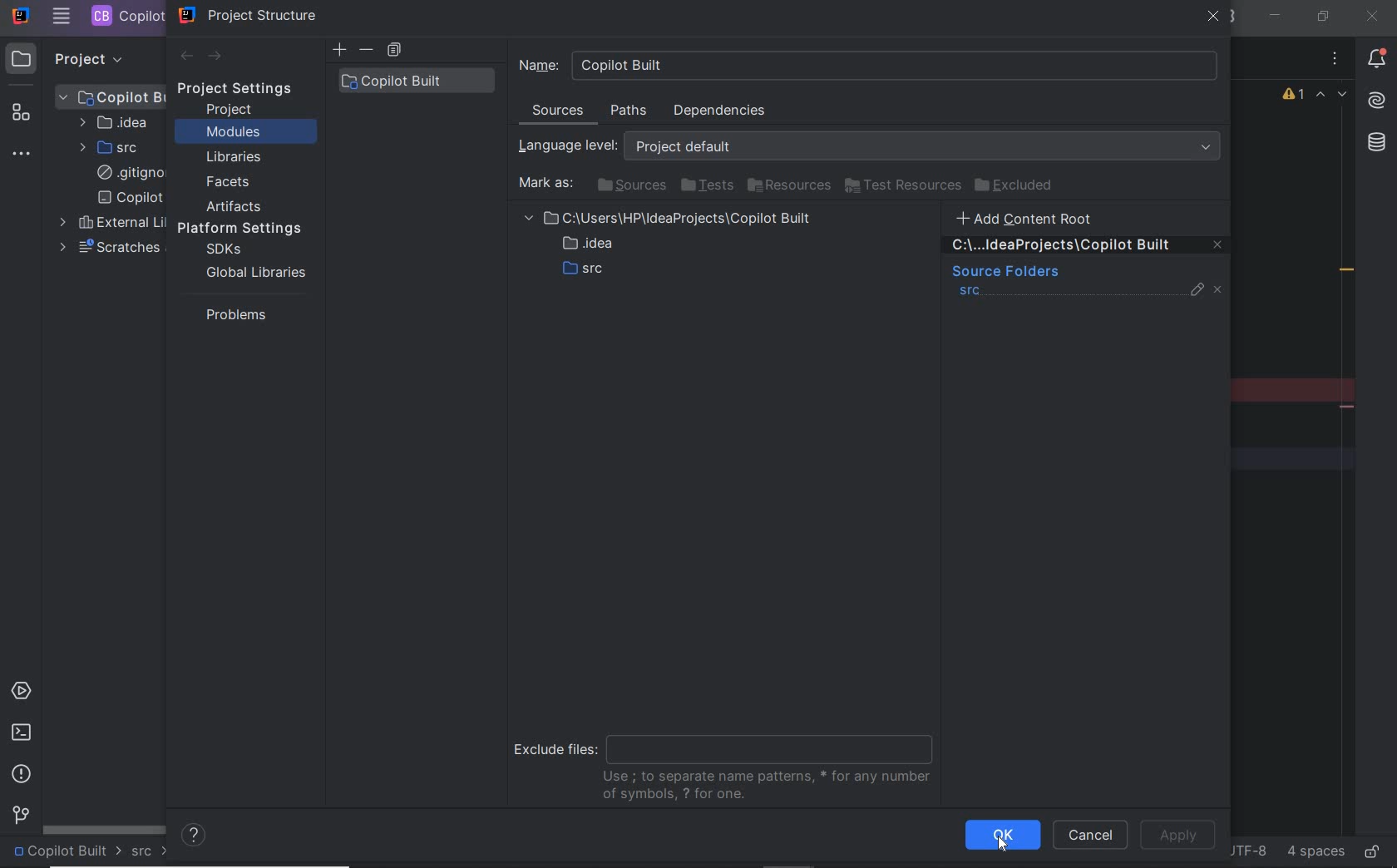 The image size is (1397, 868). I want to click on test resources, so click(904, 186).